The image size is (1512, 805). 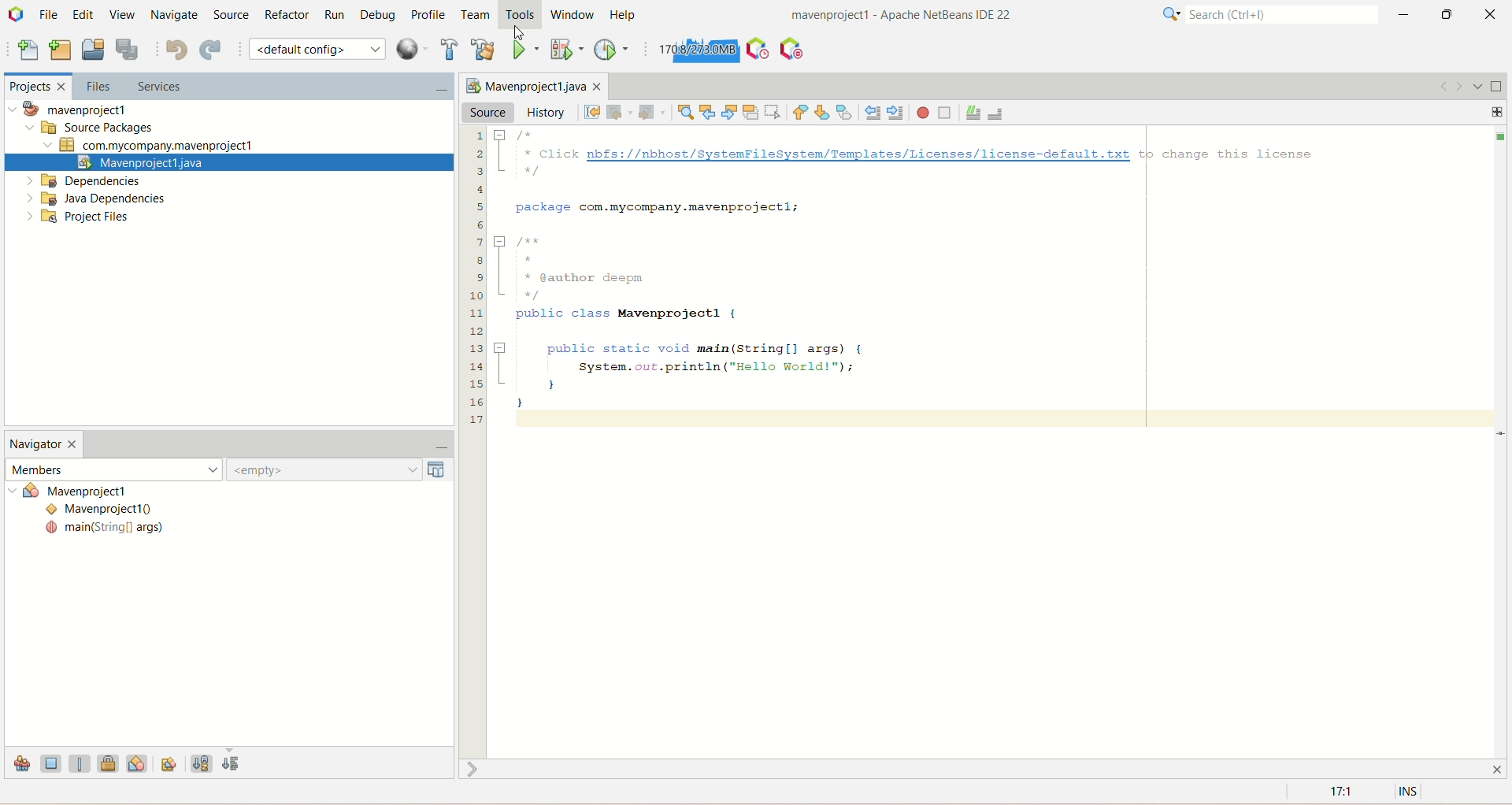 What do you see at coordinates (341, 469) in the screenshot?
I see `empty` at bounding box center [341, 469].